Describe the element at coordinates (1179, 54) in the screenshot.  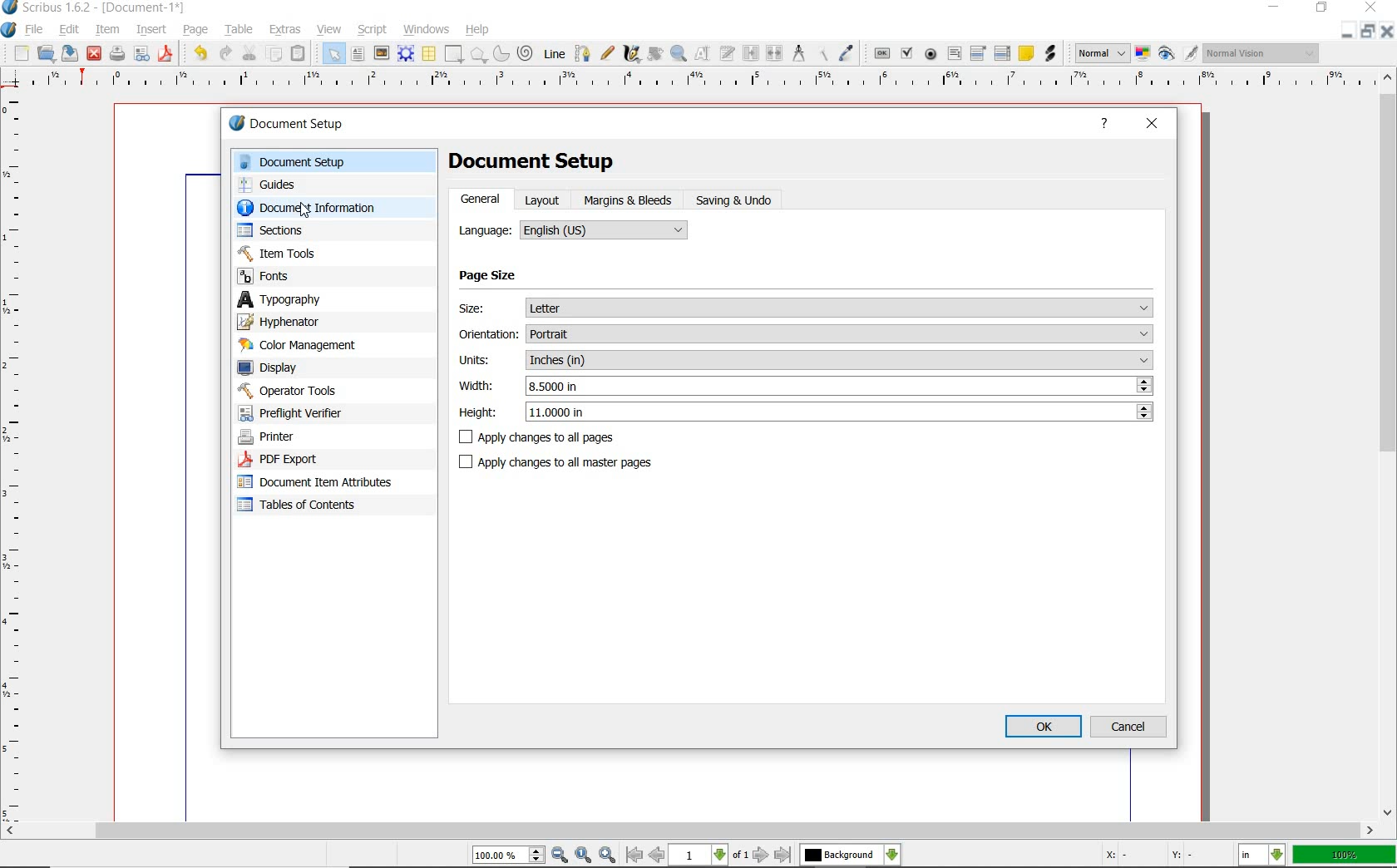
I see `preview mode` at that location.